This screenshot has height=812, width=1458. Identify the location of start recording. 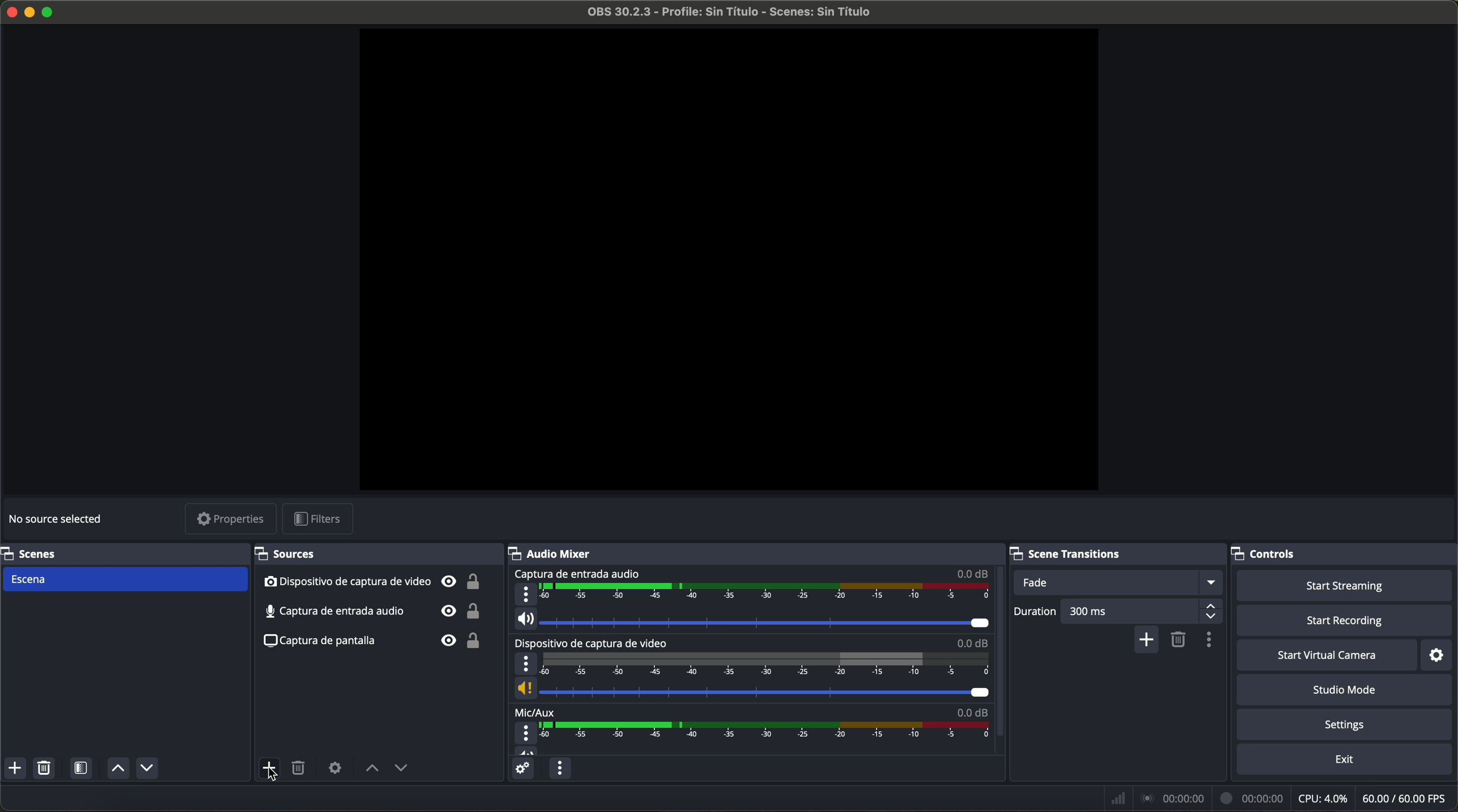
(1346, 621).